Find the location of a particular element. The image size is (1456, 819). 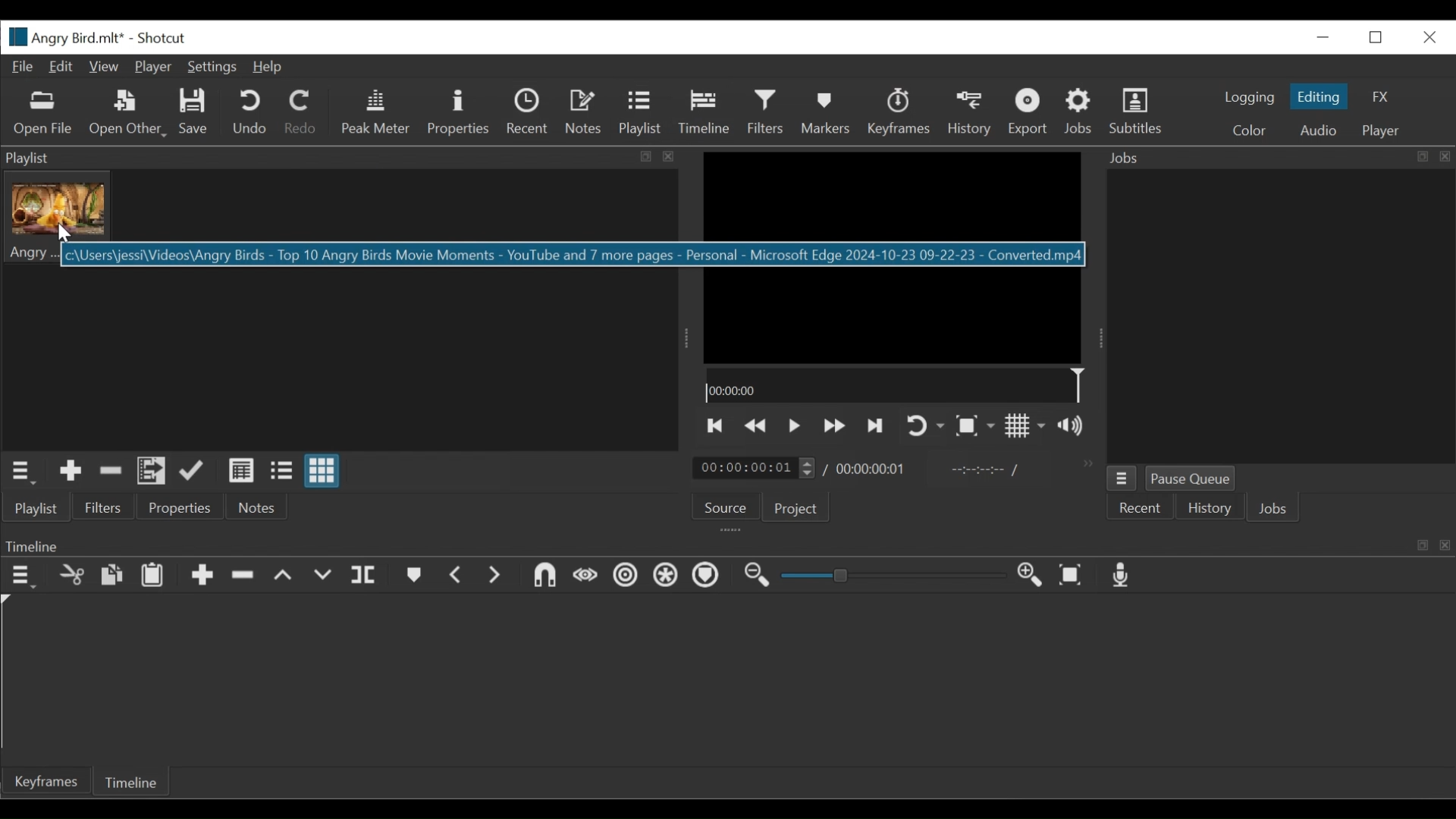

Filters is located at coordinates (767, 112).